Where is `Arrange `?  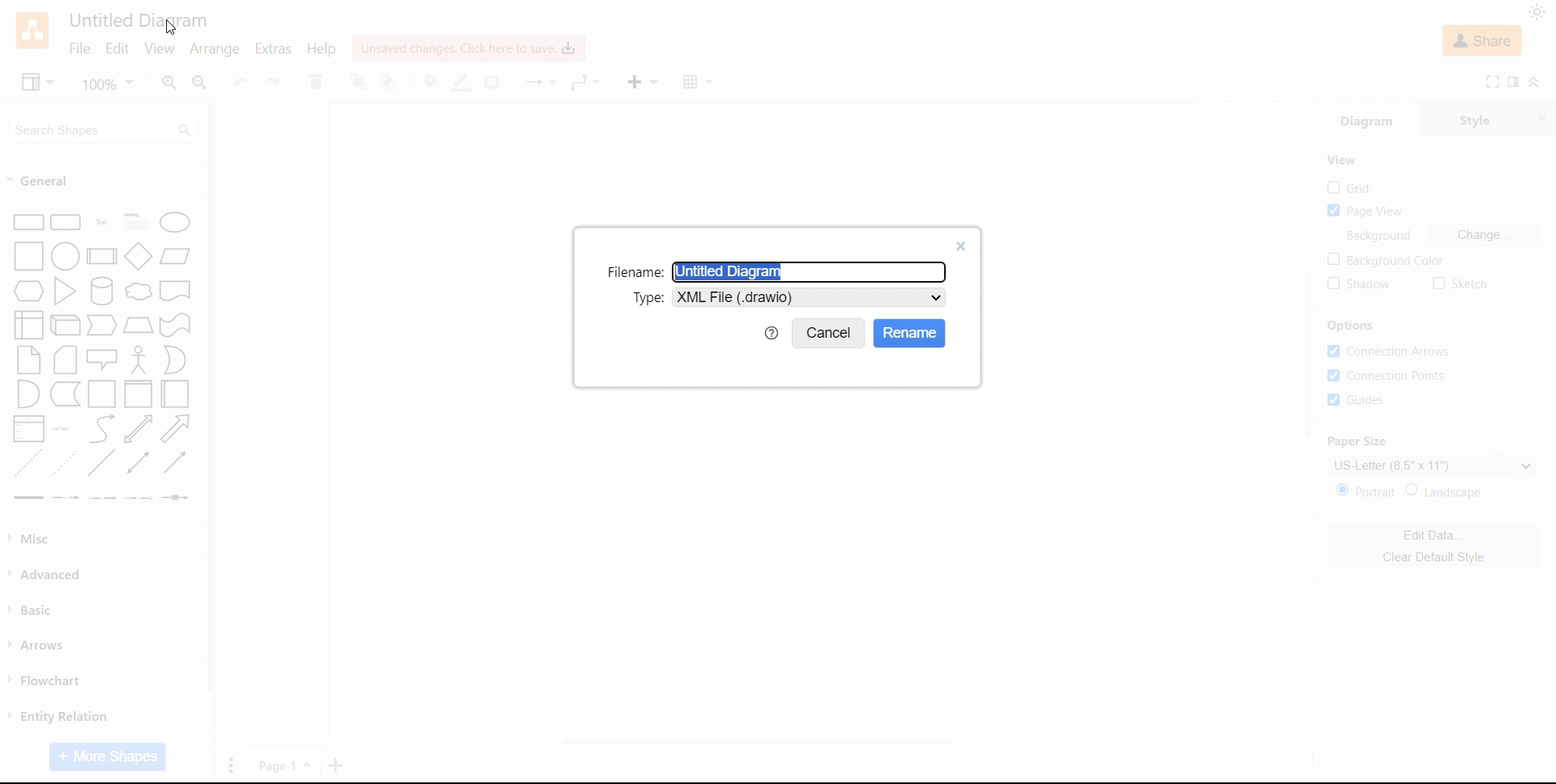 Arrange  is located at coordinates (214, 49).